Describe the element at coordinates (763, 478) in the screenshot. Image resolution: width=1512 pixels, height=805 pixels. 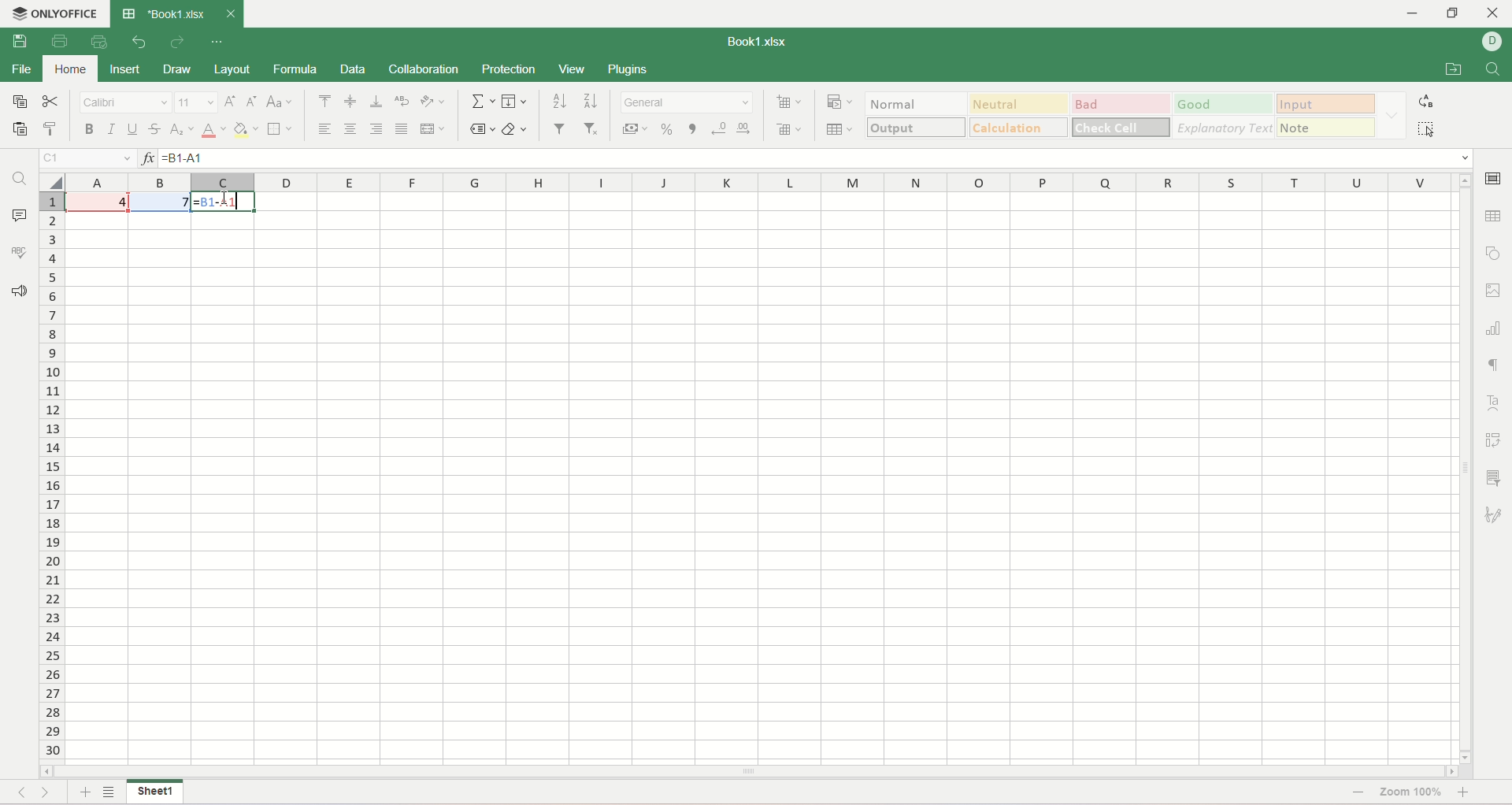
I see `worksheet` at that location.